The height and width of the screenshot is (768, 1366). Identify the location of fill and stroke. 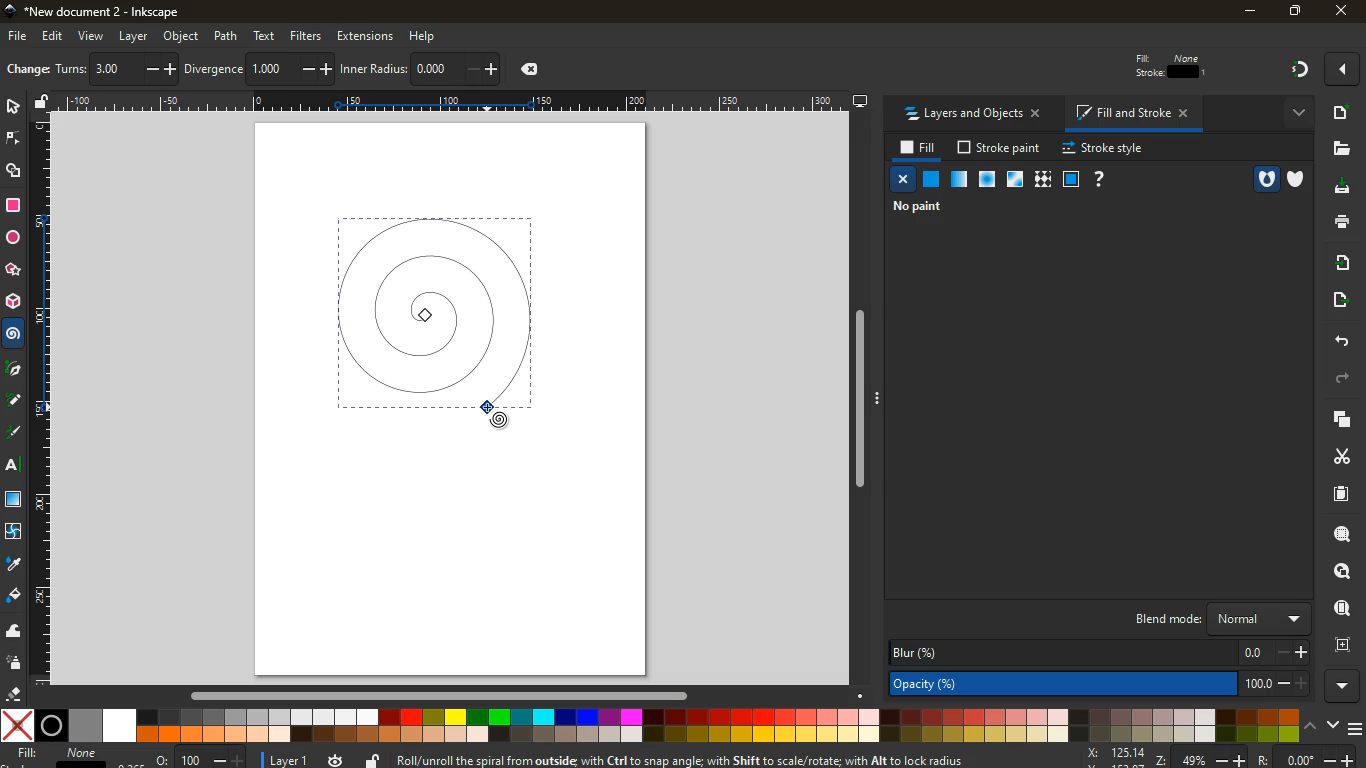
(1131, 114).